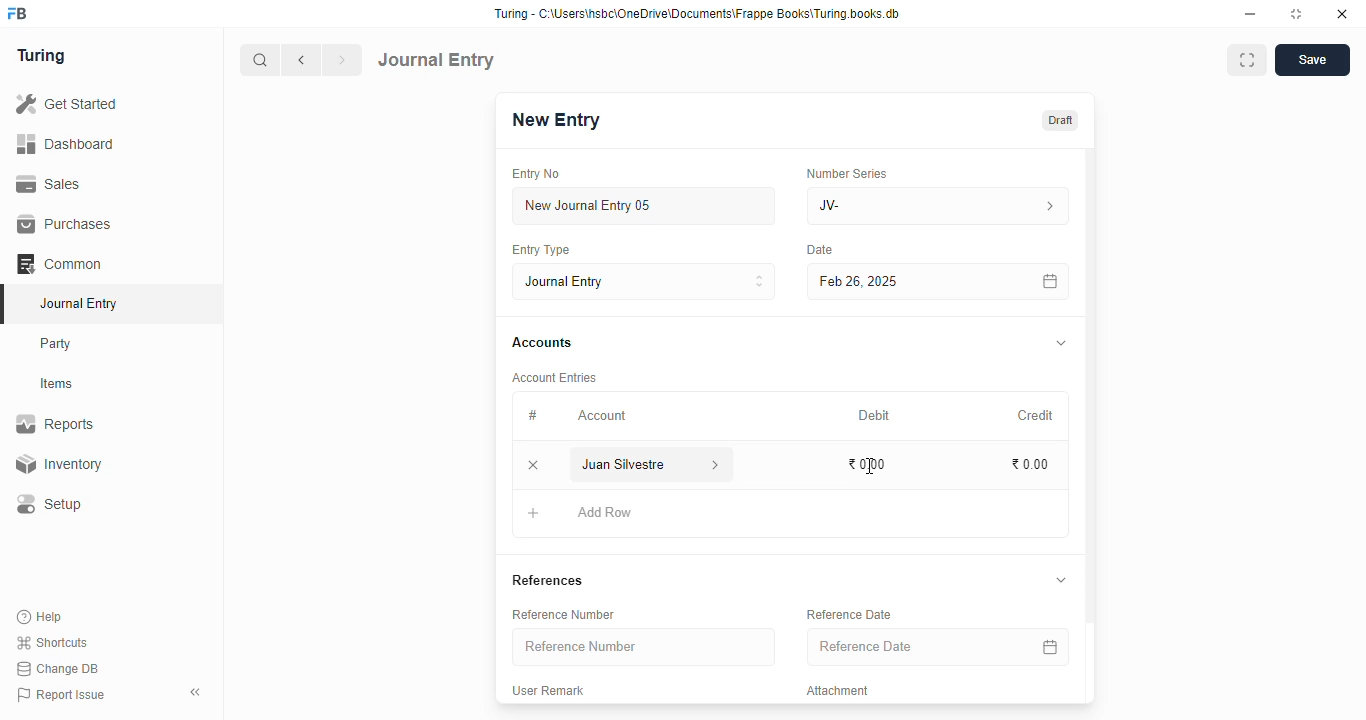 The image size is (1366, 720). Describe the element at coordinates (1047, 646) in the screenshot. I see `calendar icon` at that location.